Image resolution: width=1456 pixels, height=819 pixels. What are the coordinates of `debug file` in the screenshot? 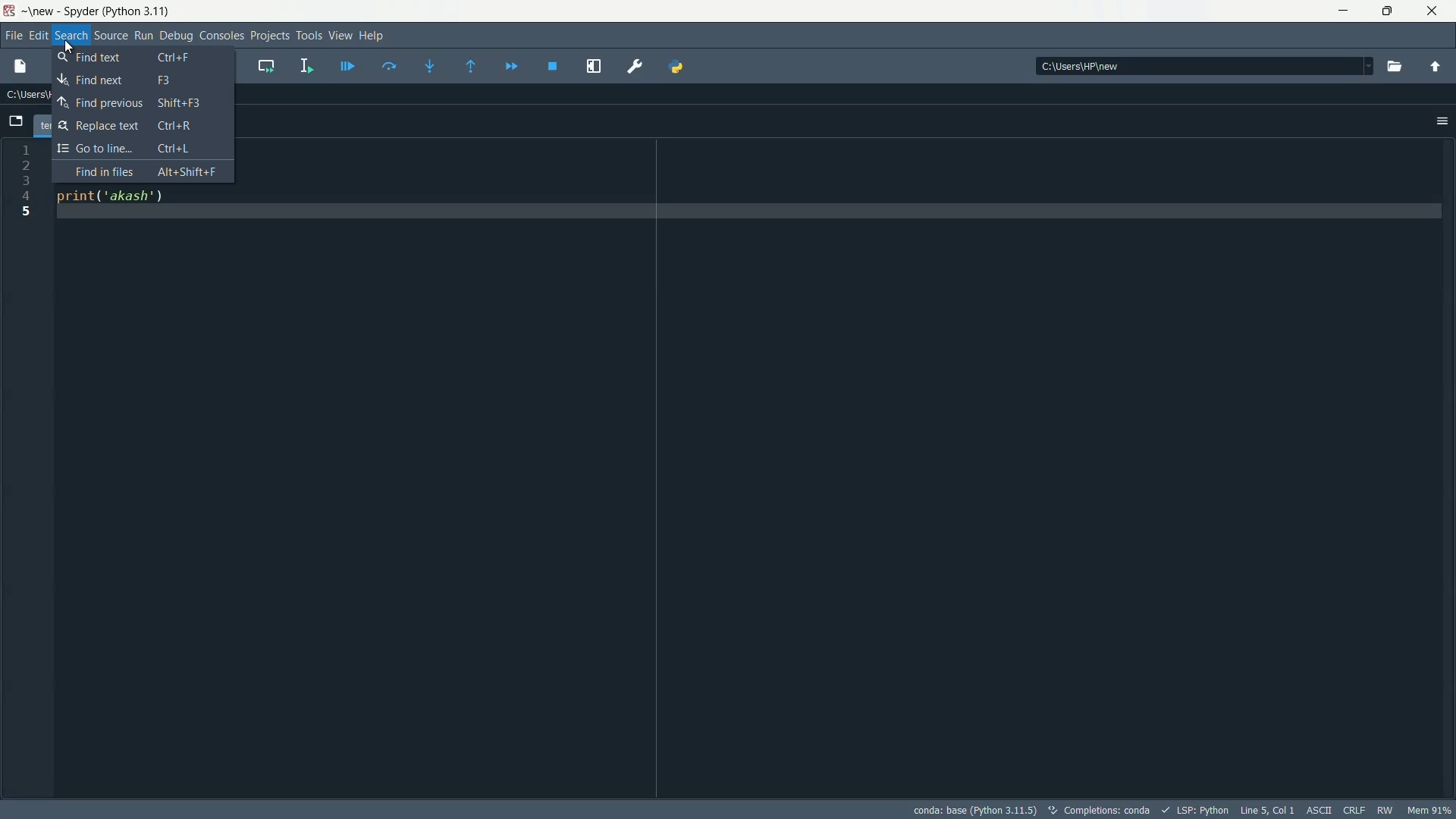 It's located at (349, 67).